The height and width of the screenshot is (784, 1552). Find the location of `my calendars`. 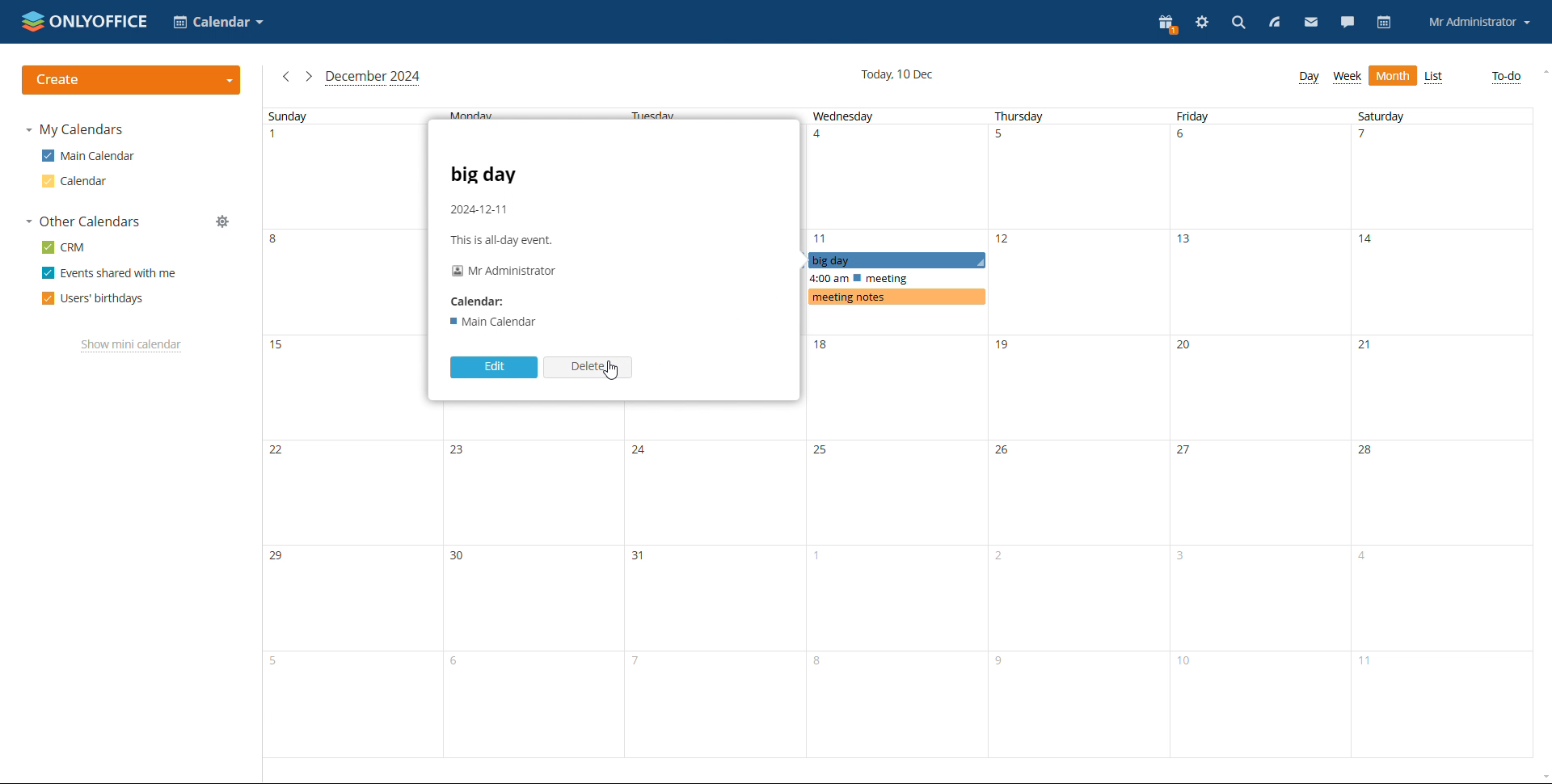

my calendars is located at coordinates (78, 130).